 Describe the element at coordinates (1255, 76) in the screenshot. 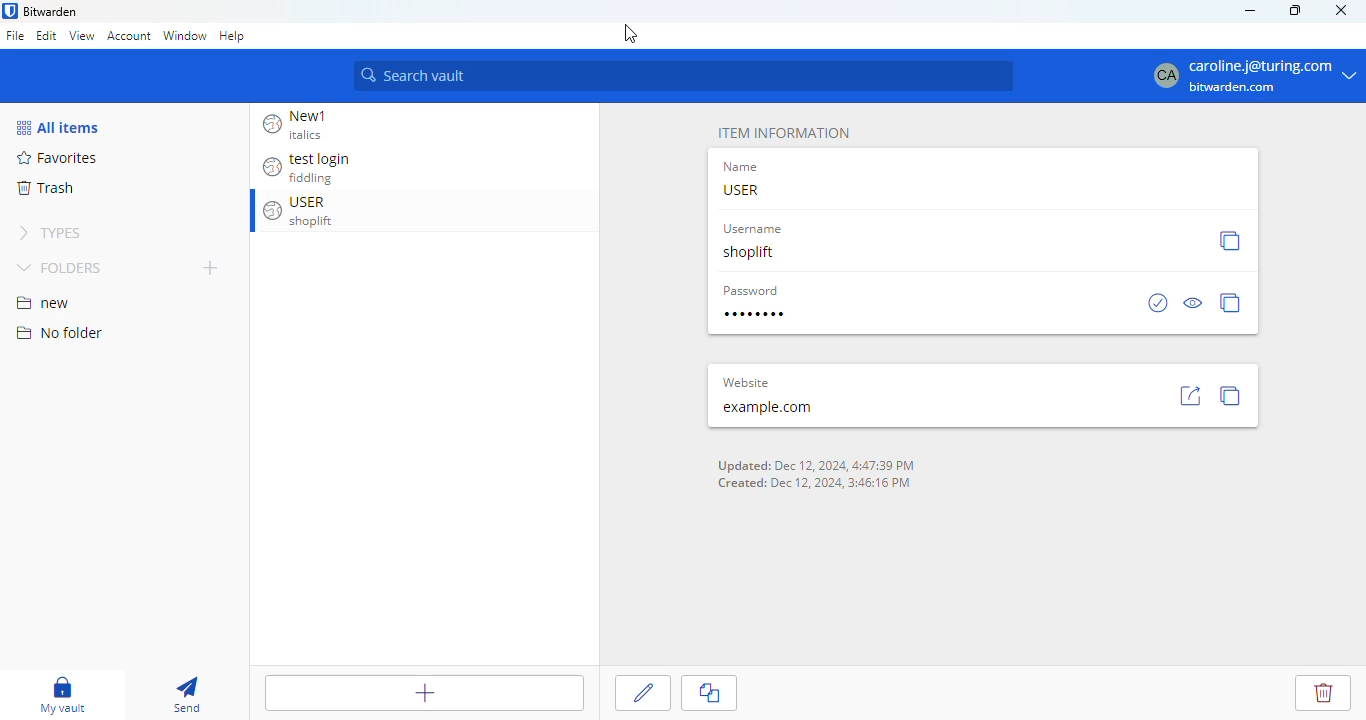

I see `caroline j@turing.com   bitwarden.com` at that location.